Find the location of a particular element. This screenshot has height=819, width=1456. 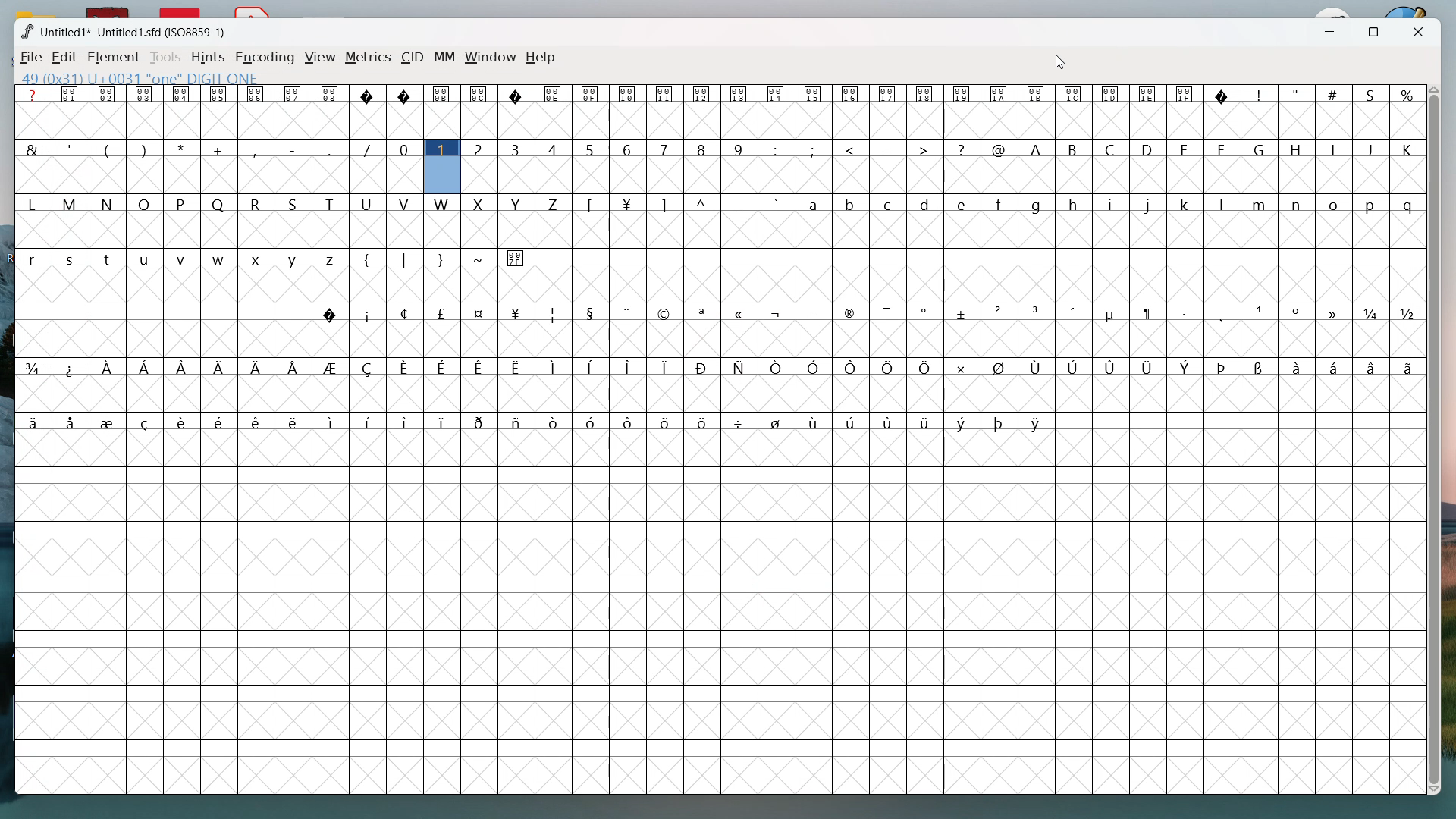

symbol is located at coordinates (780, 422).